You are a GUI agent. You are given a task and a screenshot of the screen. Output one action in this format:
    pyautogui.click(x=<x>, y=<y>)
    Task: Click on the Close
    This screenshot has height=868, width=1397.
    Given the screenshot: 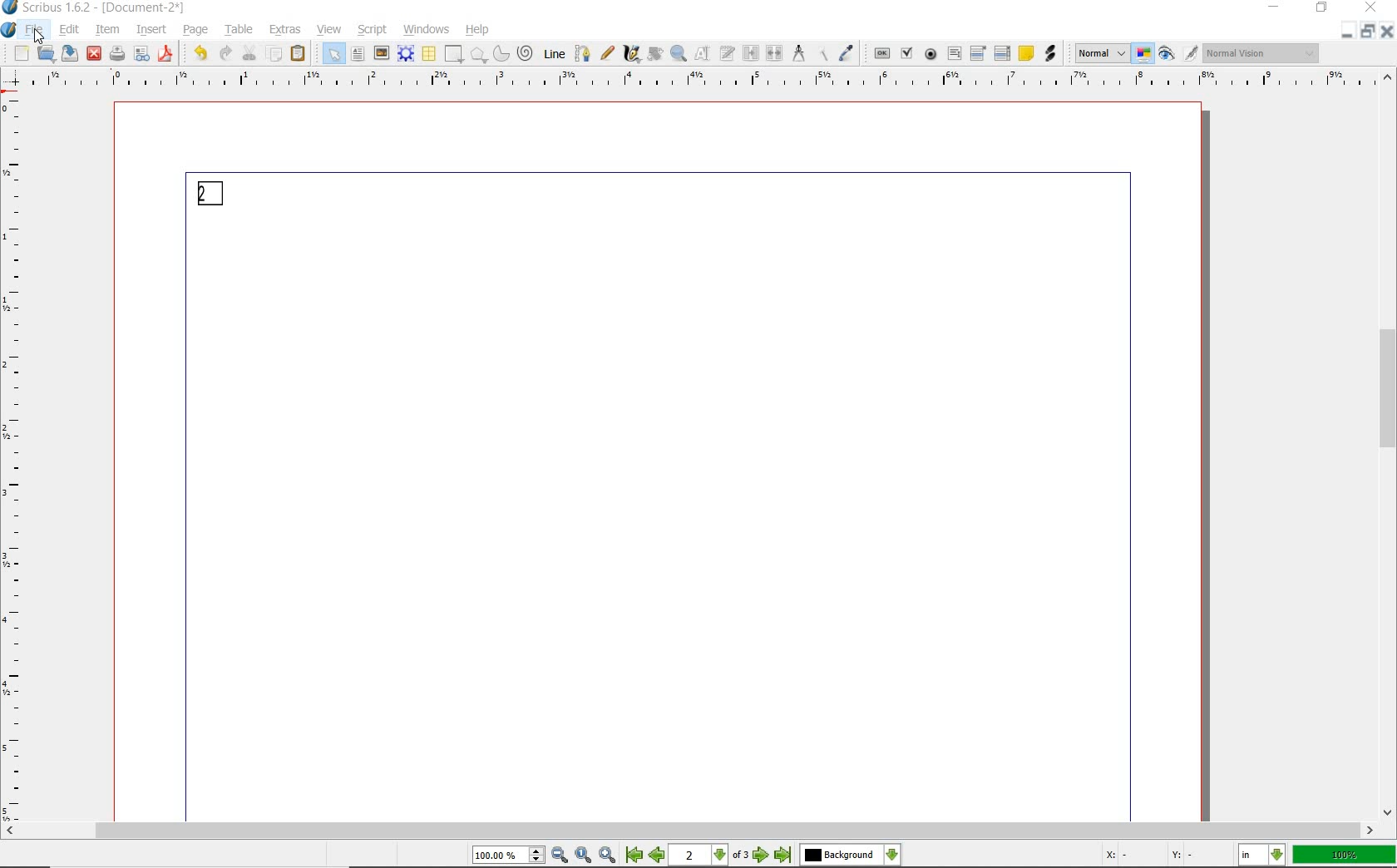 What is the action you would take?
    pyautogui.click(x=1346, y=31)
    